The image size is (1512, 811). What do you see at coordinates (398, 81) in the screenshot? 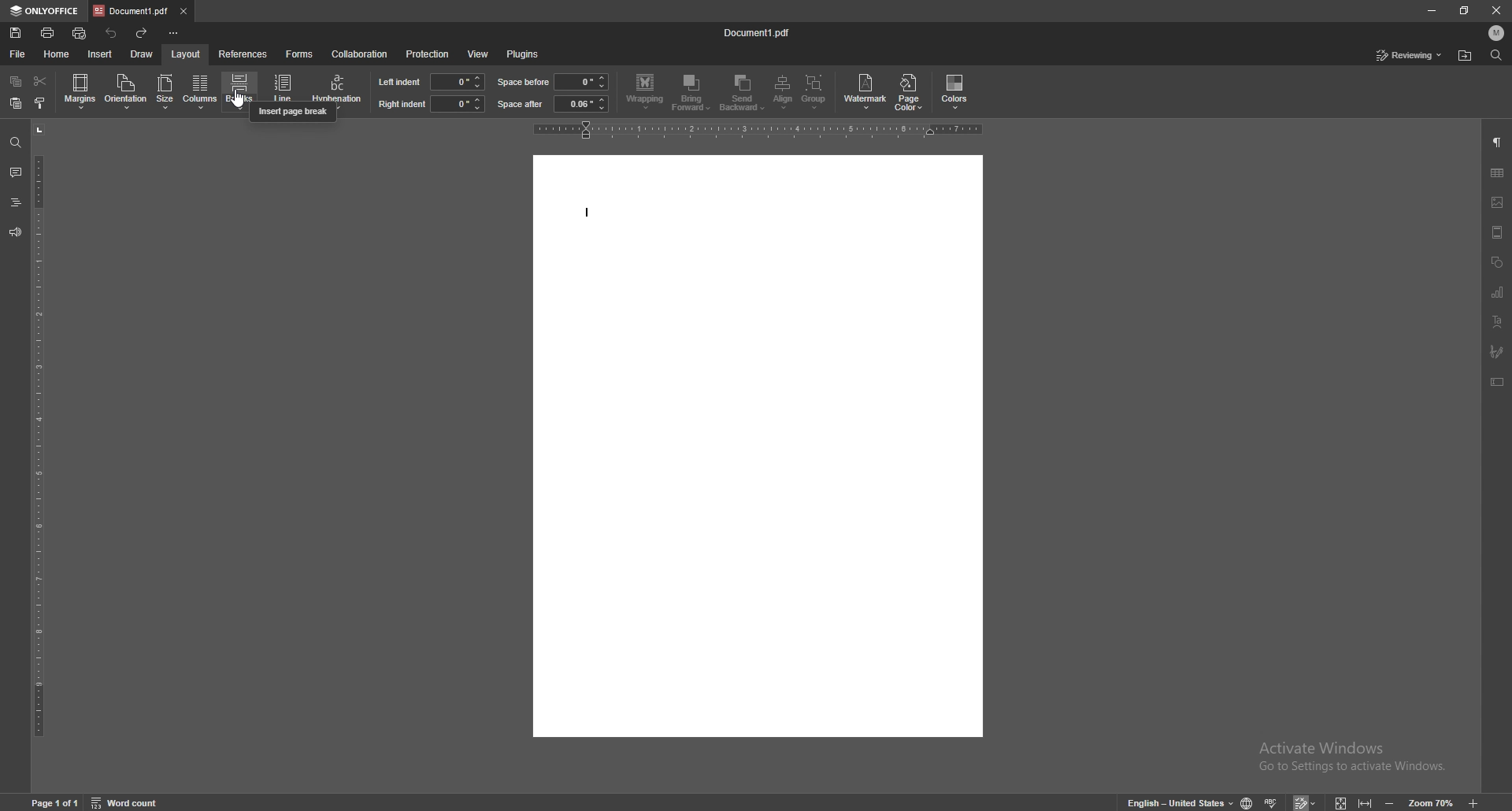
I see `left indent` at bounding box center [398, 81].